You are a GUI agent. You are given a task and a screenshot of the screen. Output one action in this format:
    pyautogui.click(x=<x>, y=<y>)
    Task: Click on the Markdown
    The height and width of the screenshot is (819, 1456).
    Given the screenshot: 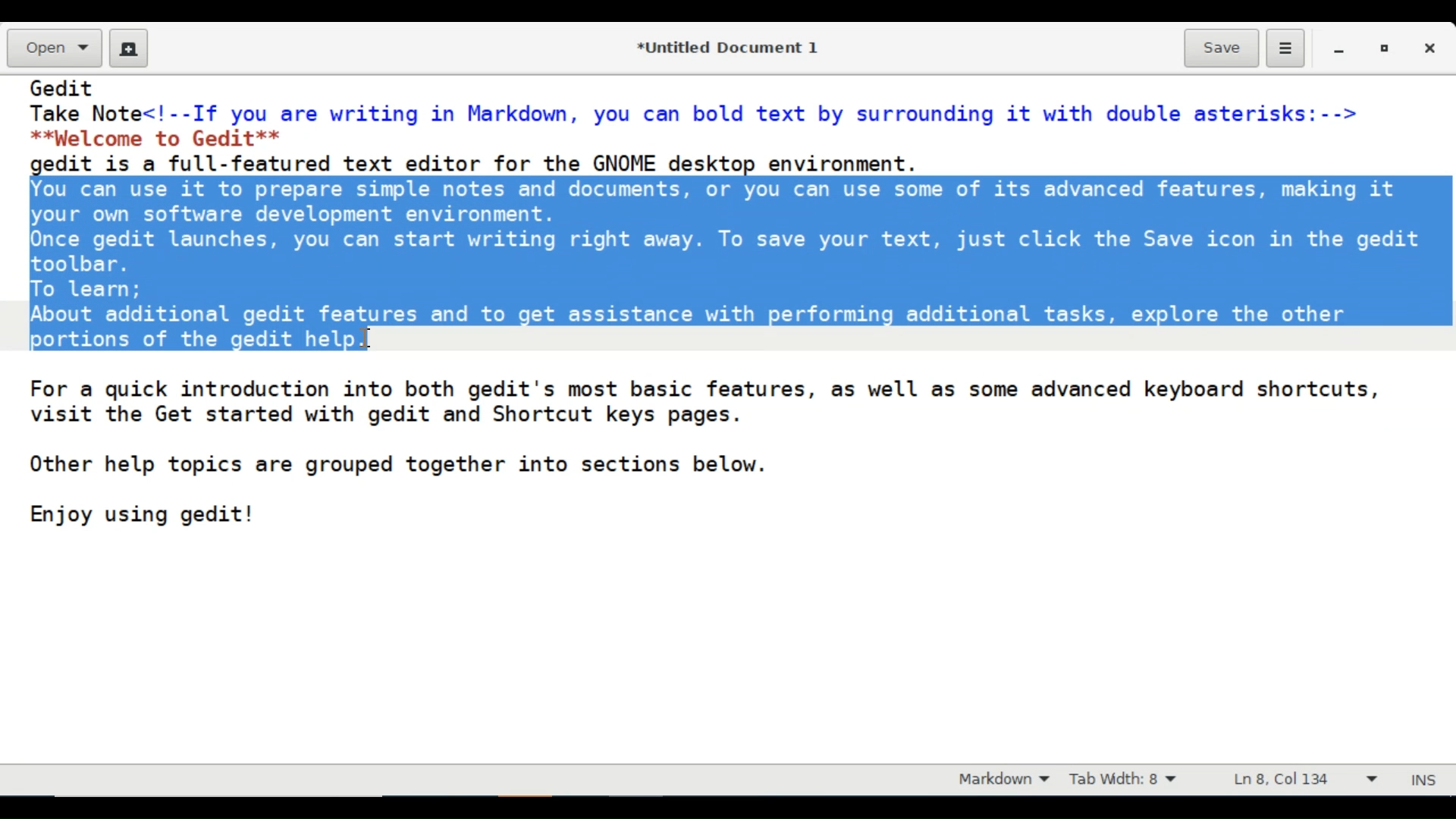 What is the action you would take?
    pyautogui.click(x=999, y=780)
    